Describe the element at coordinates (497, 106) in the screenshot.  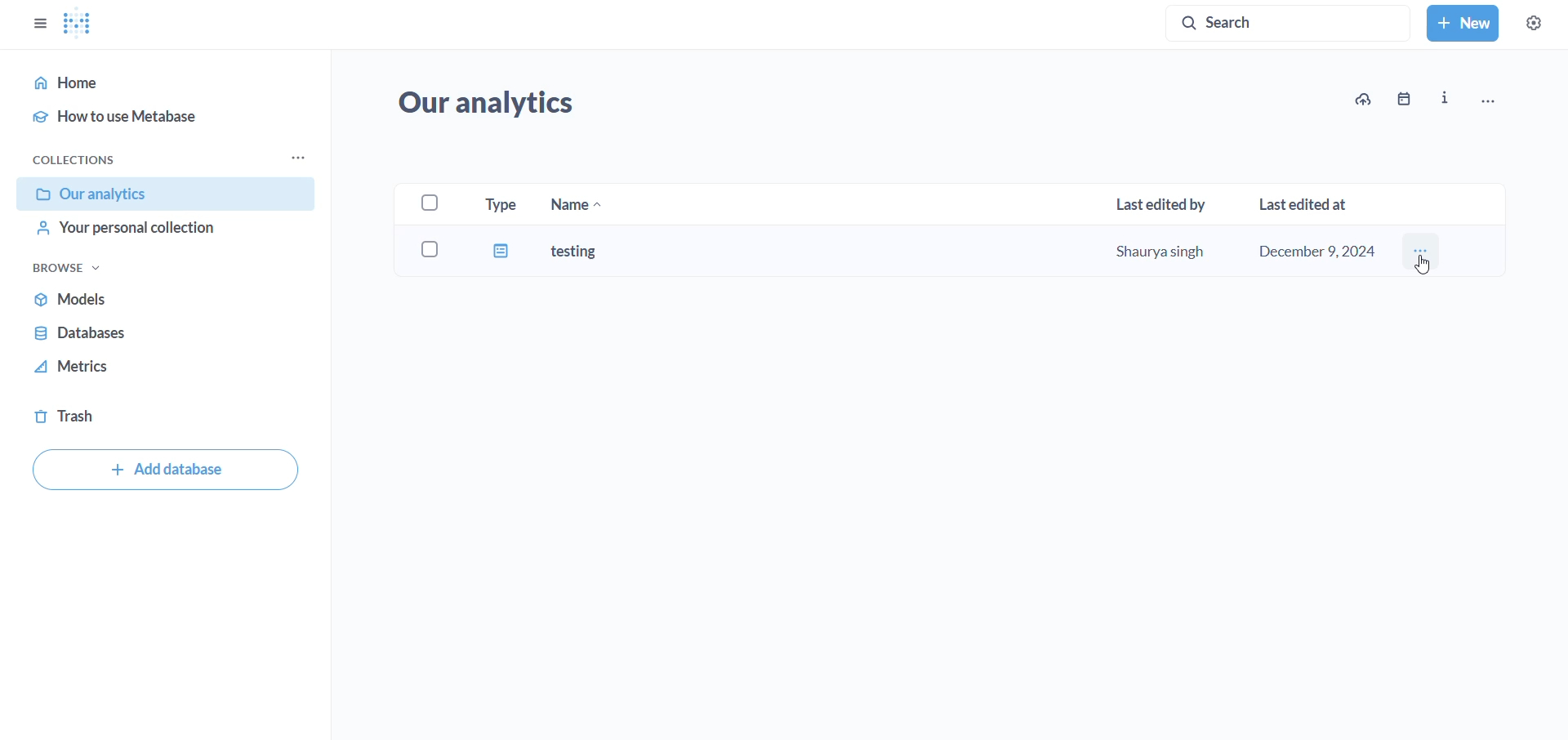
I see `our analytics ` at that location.